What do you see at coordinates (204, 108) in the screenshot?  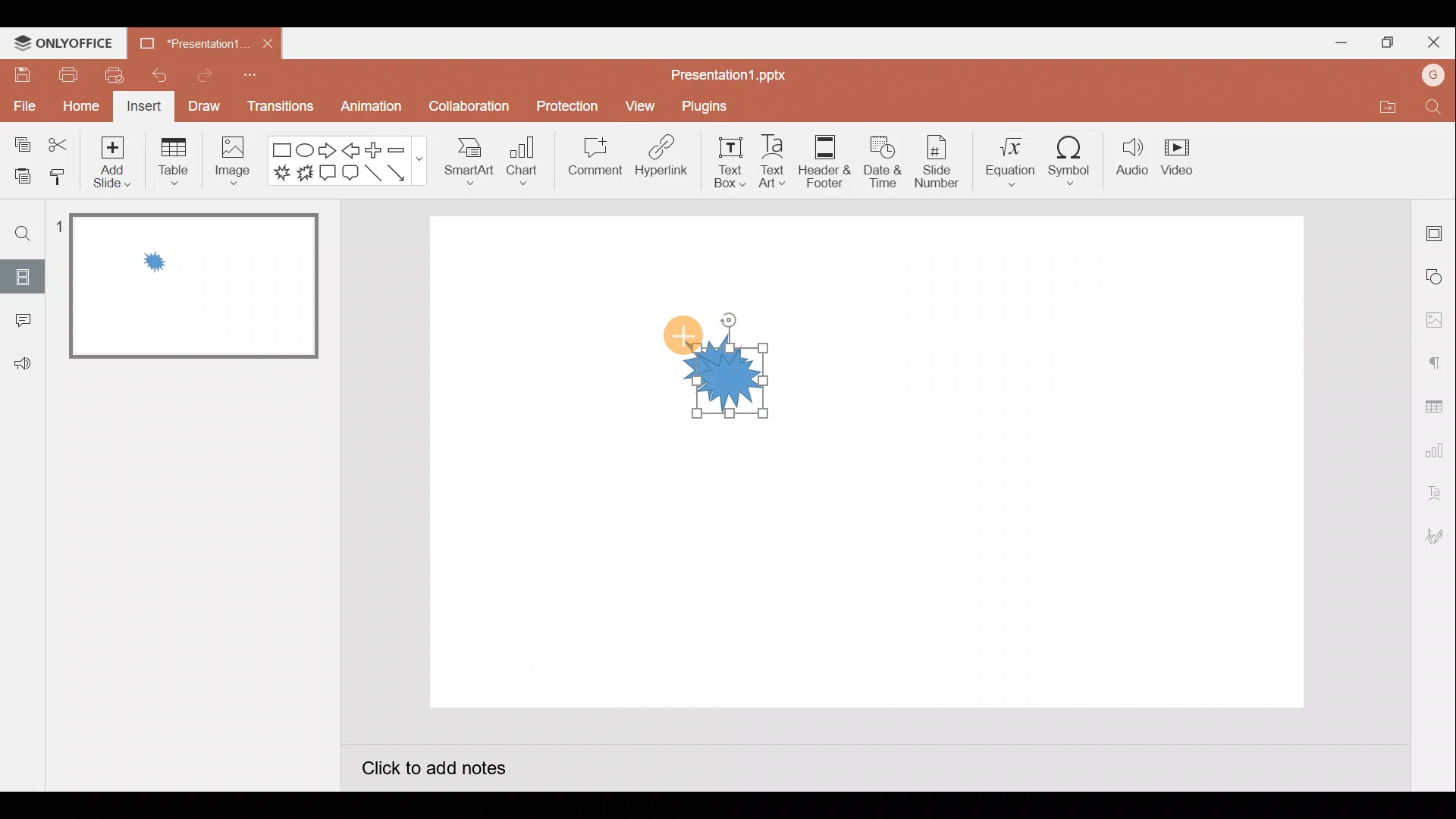 I see `Draw` at bounding box center [204, 108].